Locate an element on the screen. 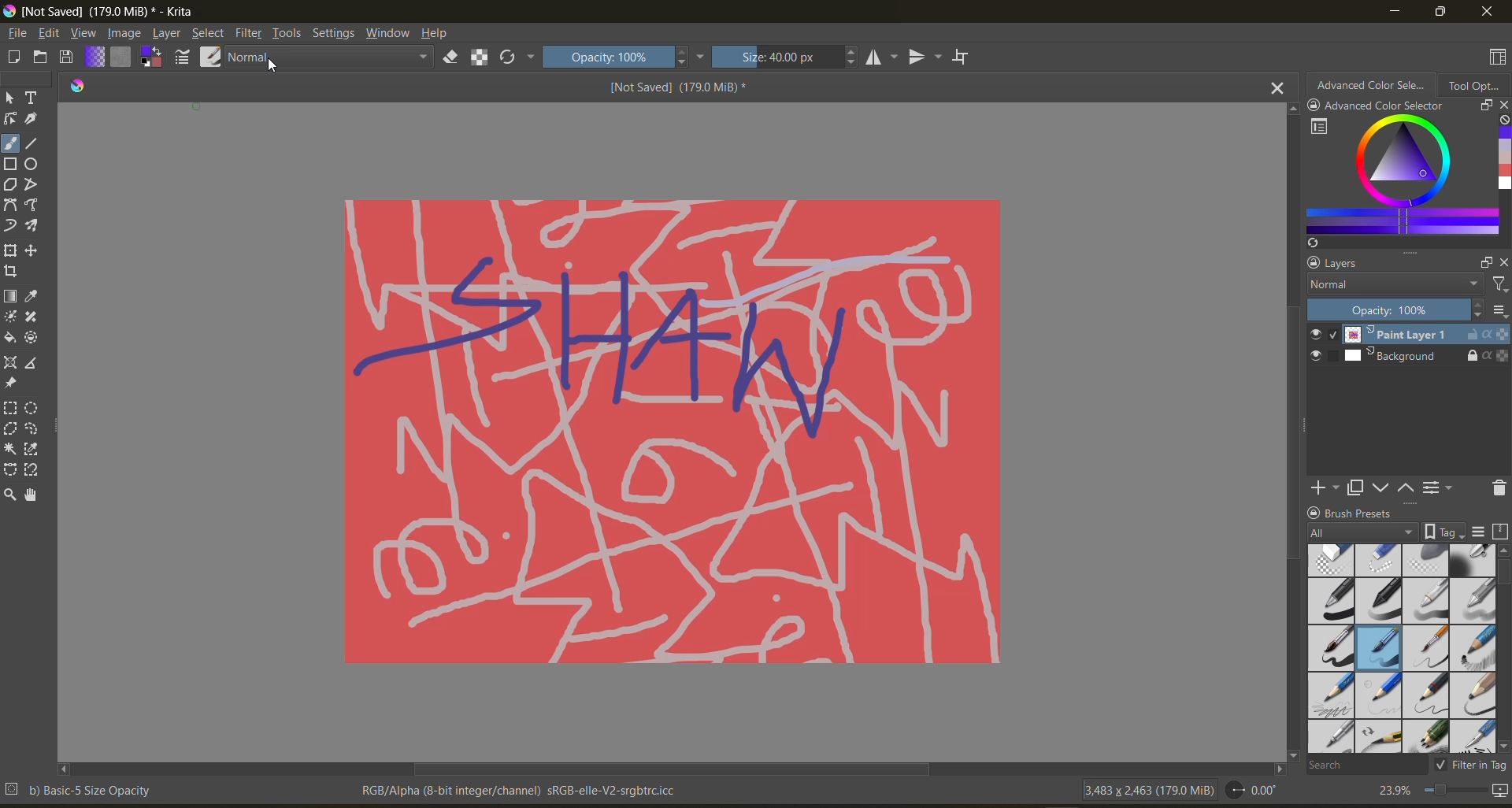 This screenshot has height=808, width=1512. zoom is located at coordinates (1455, 790).